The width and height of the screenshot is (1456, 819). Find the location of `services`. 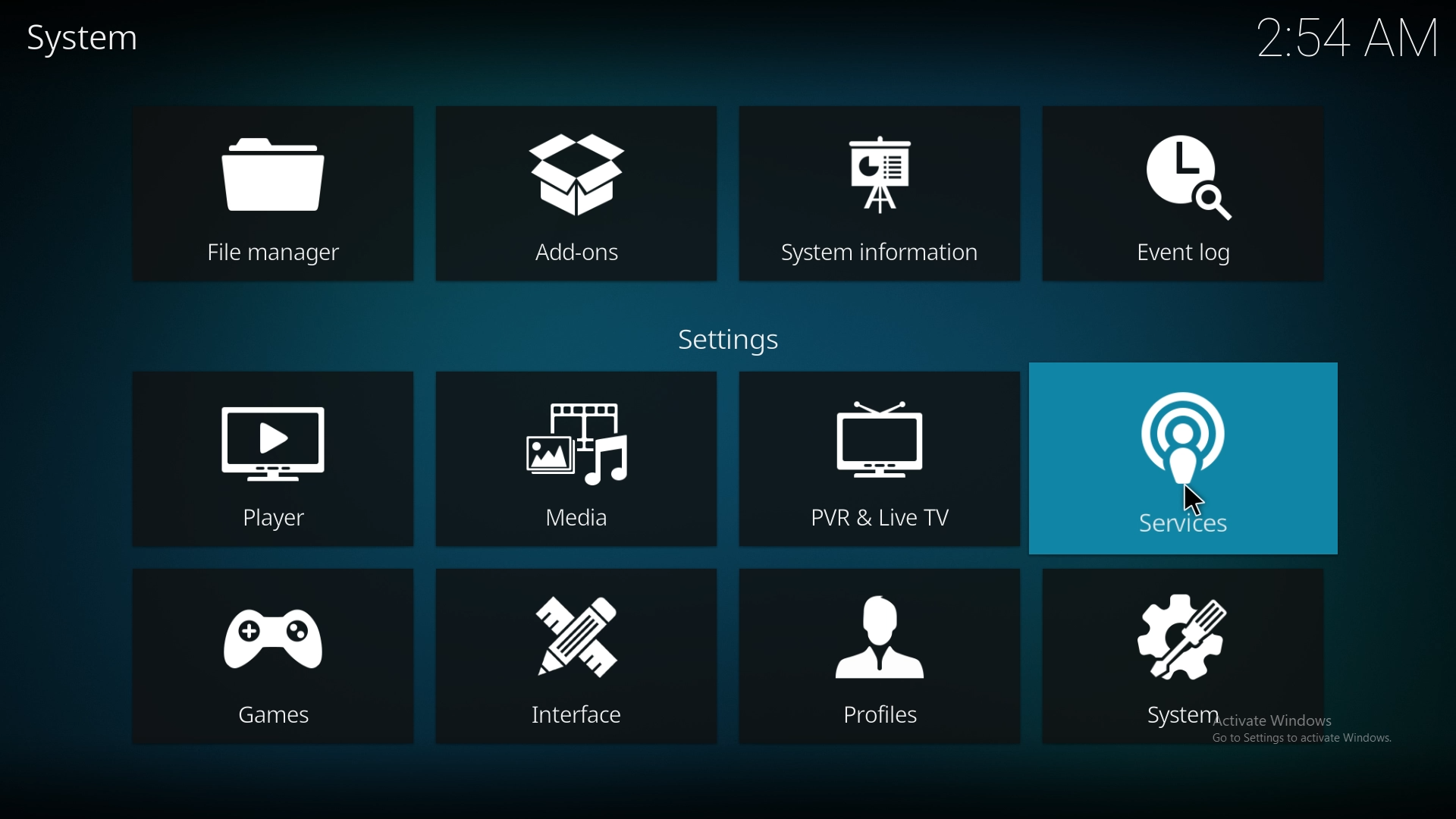

services is located at coordinates (1184, 460).